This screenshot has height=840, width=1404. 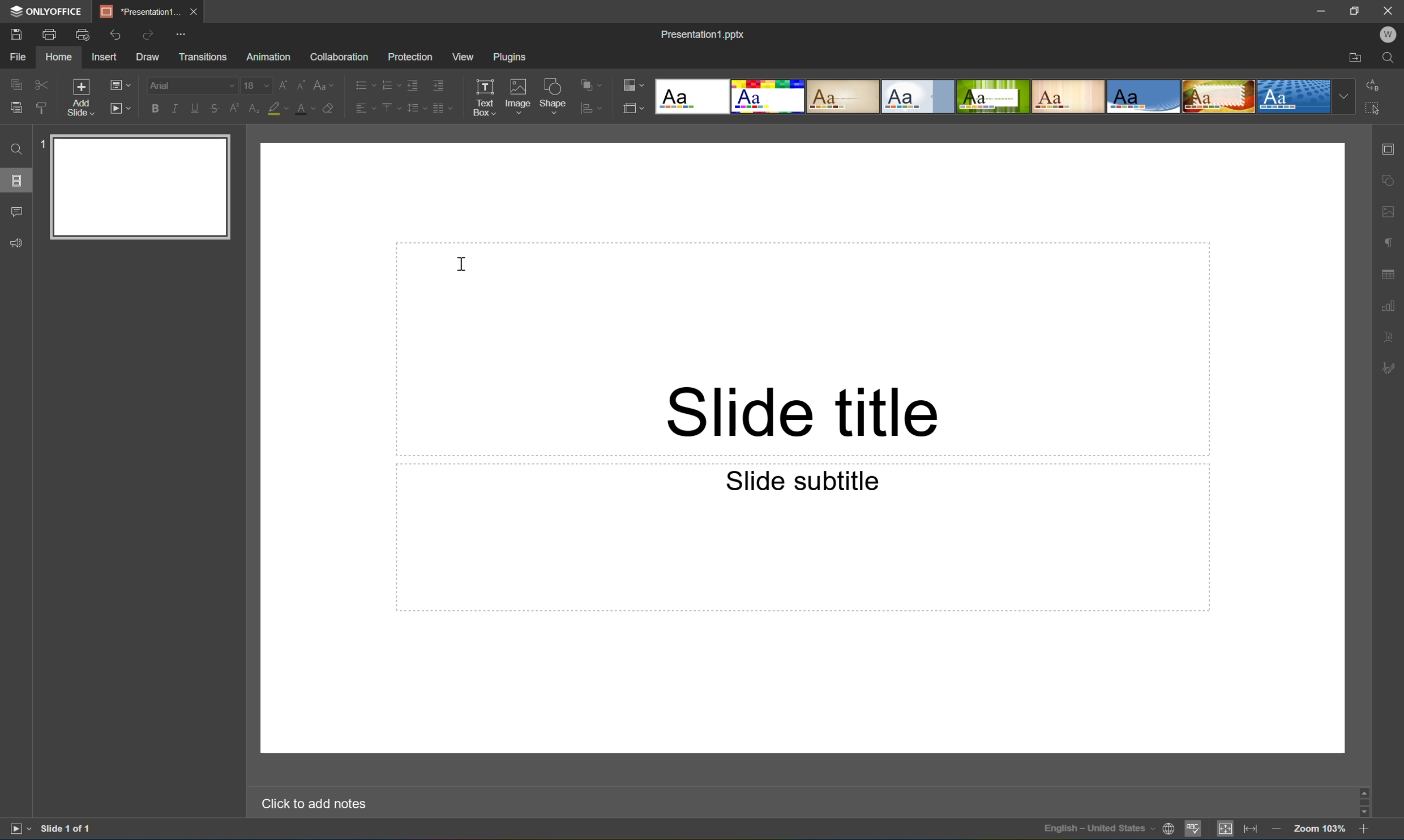 I want to click on Open file location, so click(x=1357, y=58).